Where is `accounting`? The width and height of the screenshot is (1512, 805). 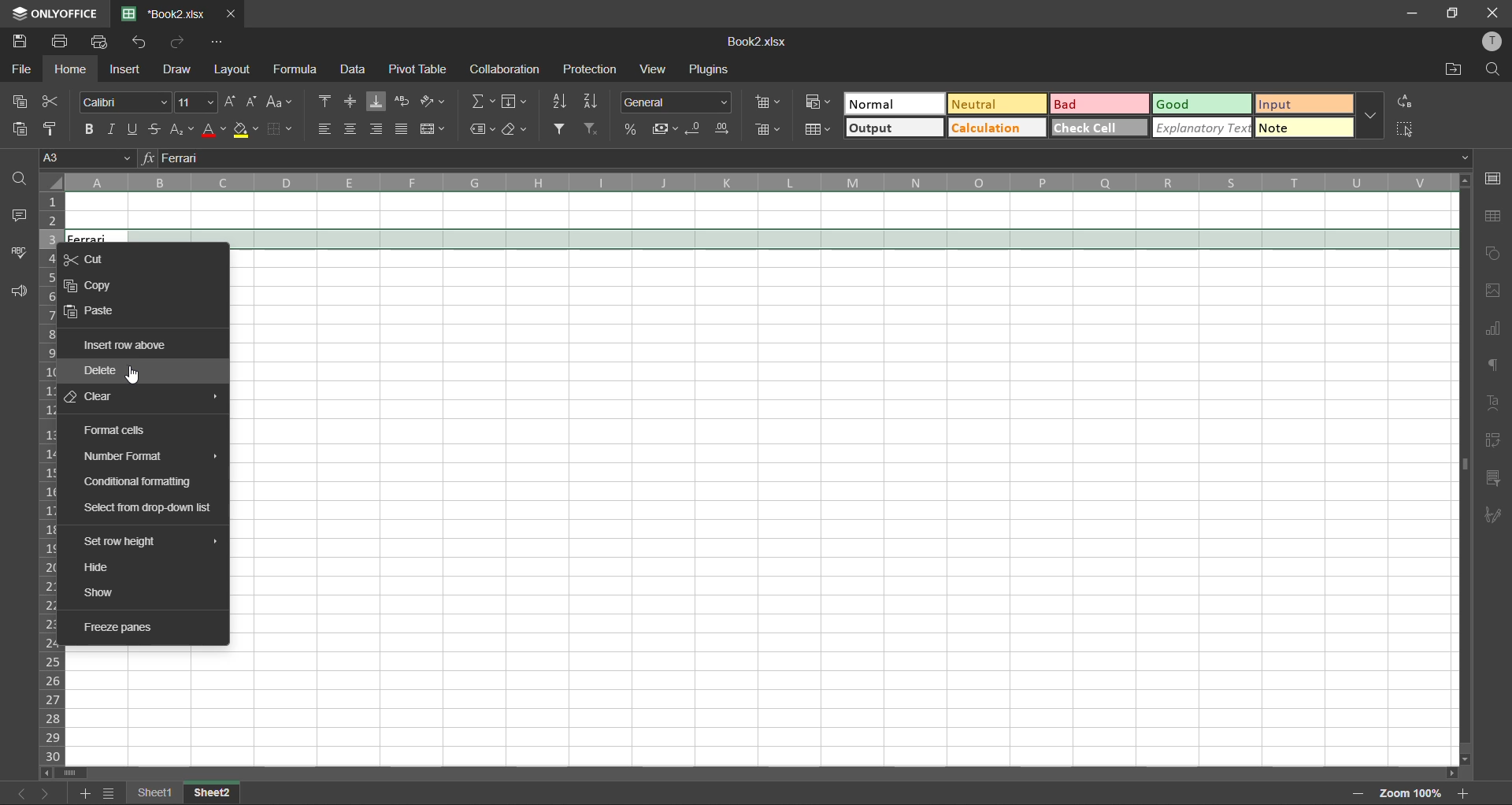
accounting is located at coordinates (665, 131).